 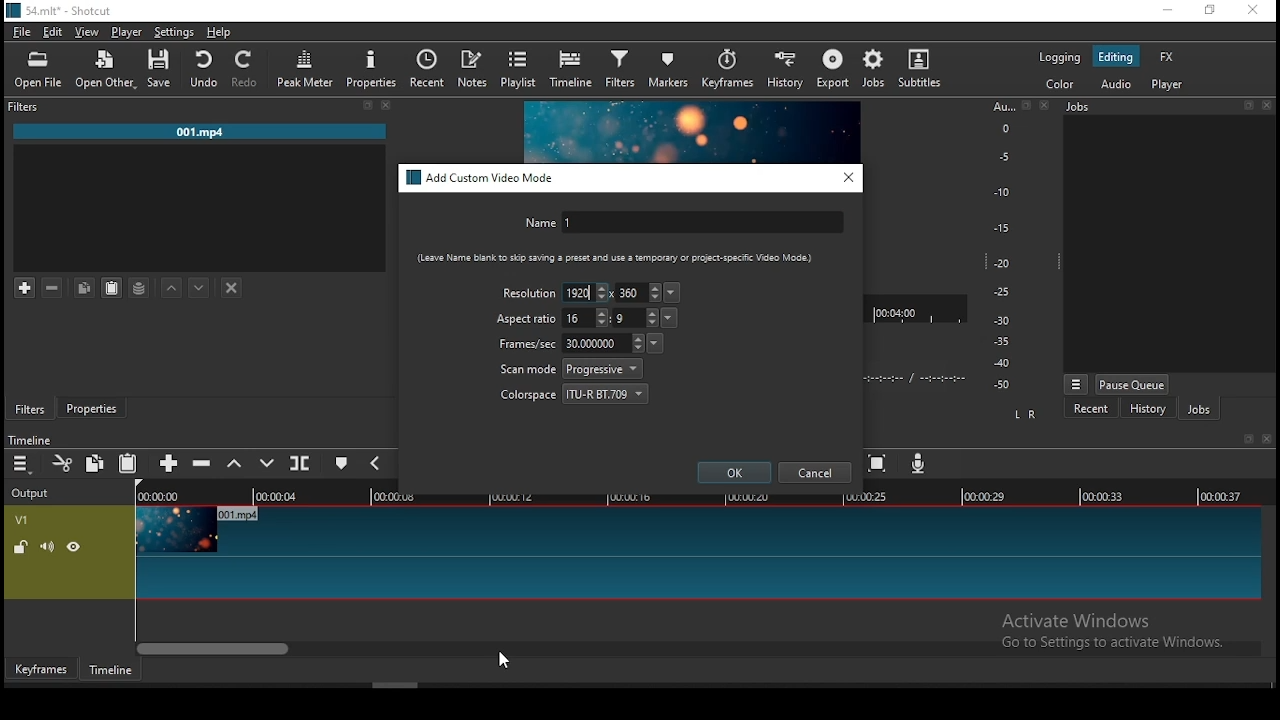 What do you see at coordinates (47, 546) in the screenshot?
I see `volume` at bounding box center [47, 546].